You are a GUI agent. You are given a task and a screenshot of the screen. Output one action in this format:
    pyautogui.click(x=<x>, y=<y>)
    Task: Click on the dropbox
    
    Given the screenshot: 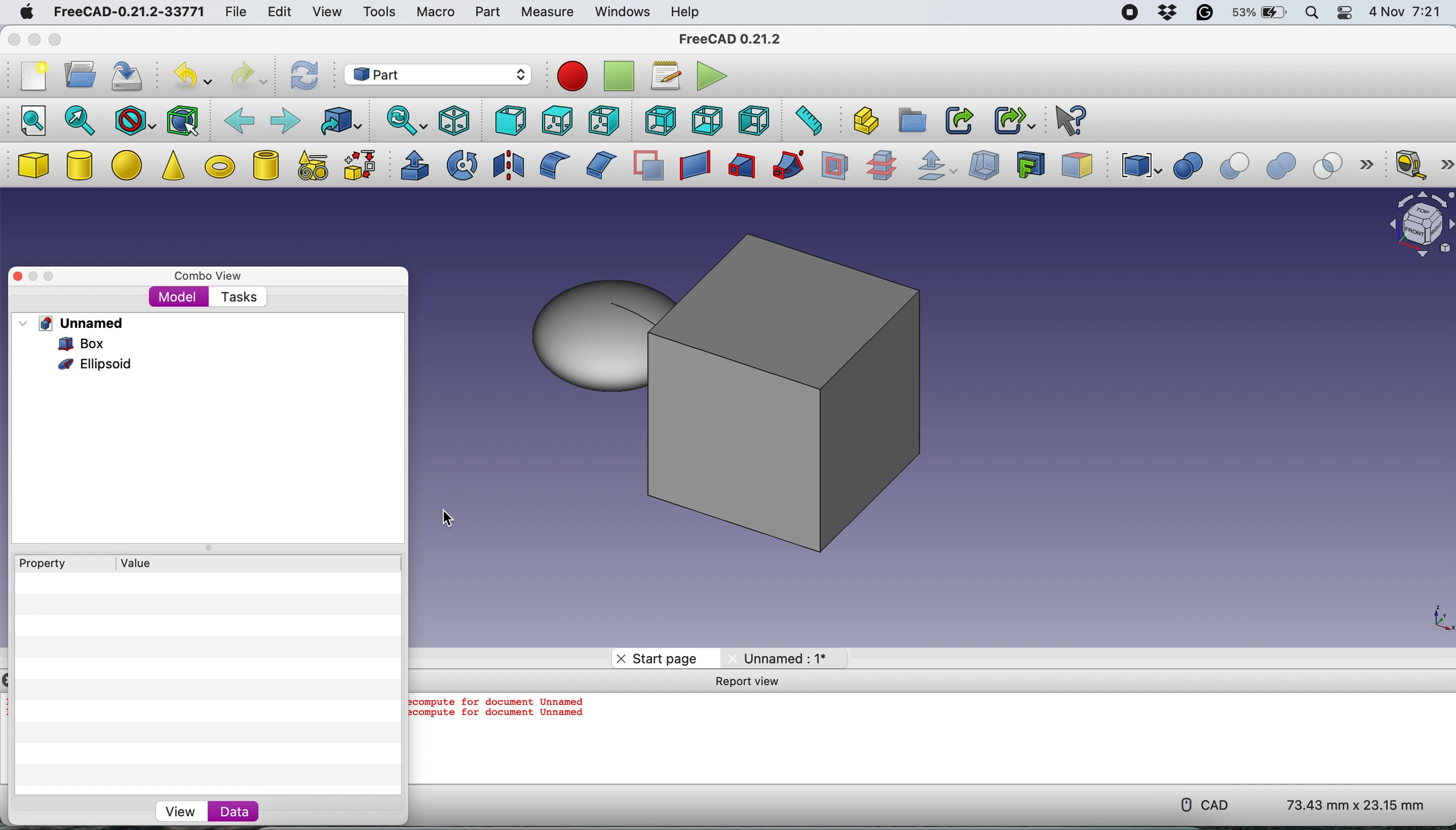 What is the action you would take?
    pyautogui.click(x=1166, y=13)
    